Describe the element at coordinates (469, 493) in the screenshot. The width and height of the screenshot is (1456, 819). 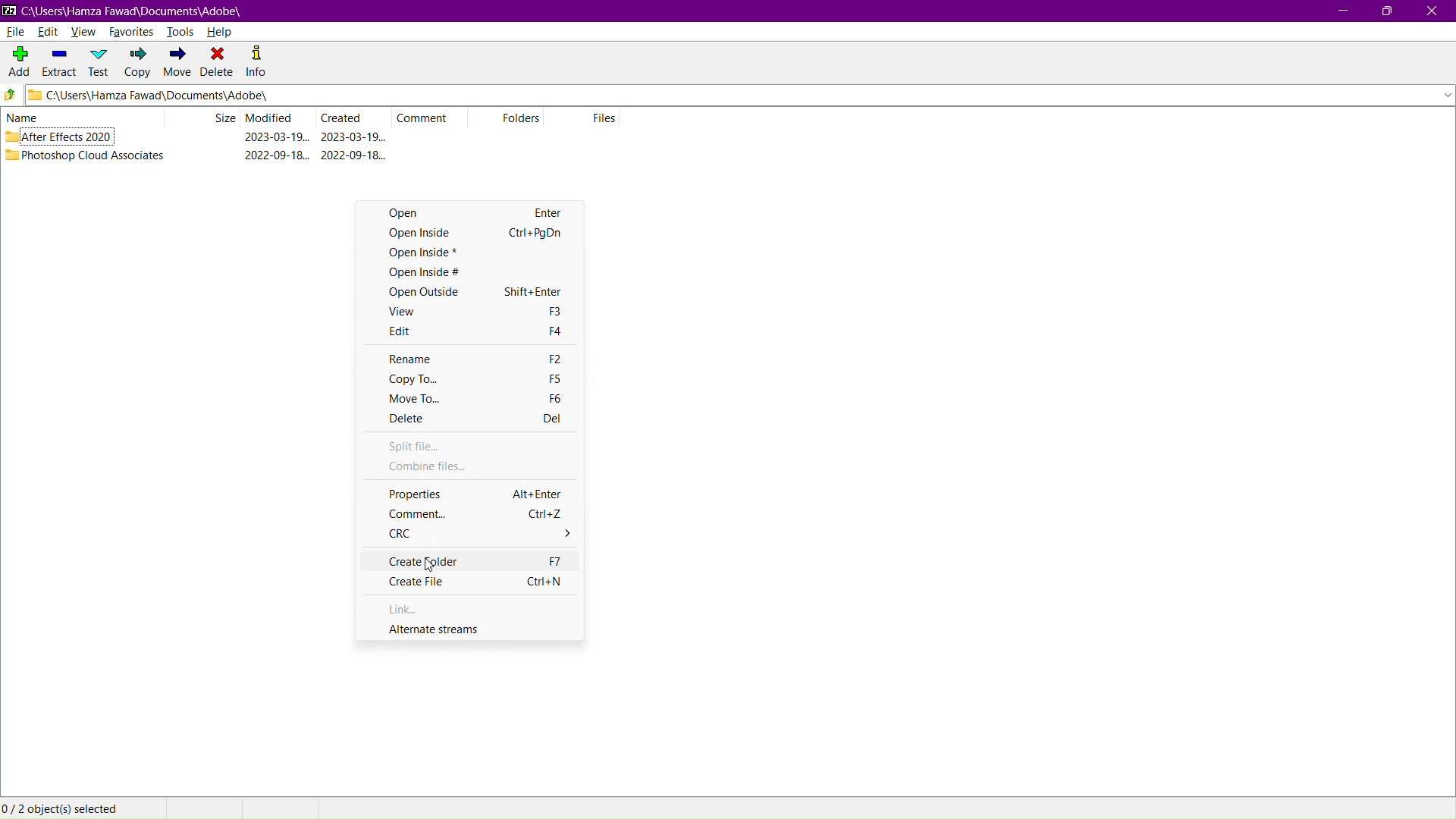
I see `Properties` at that location.